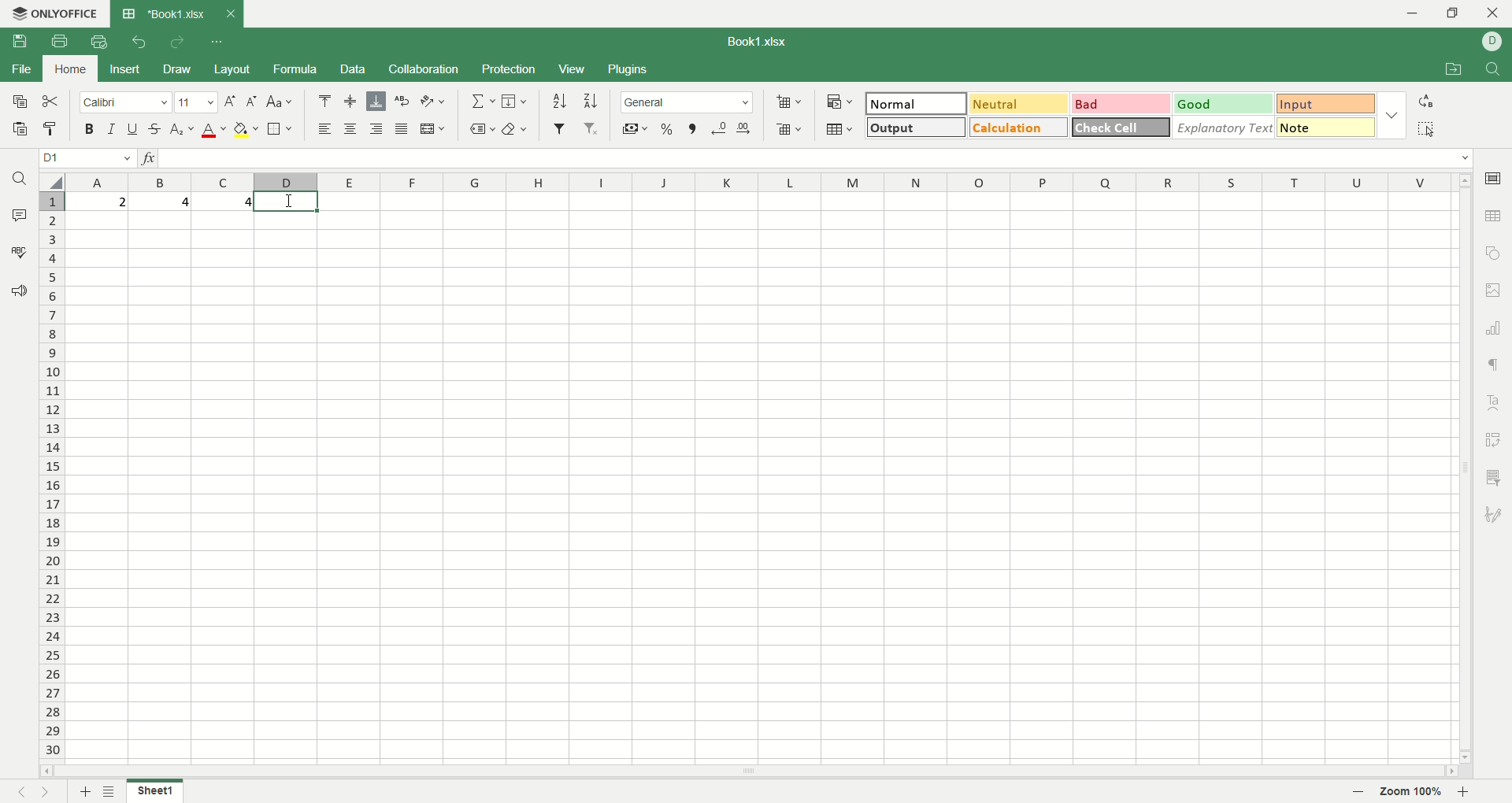  I want to click on redo, so click(177, 44).